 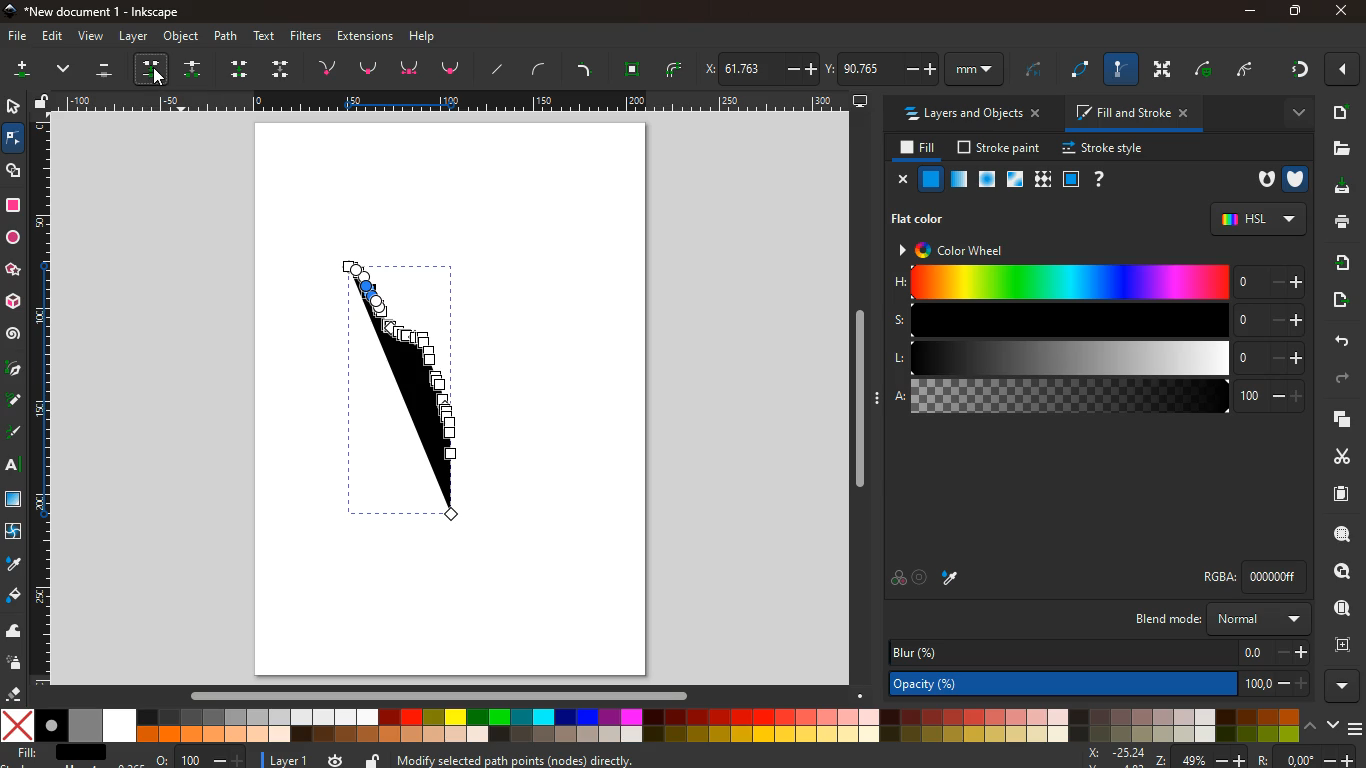 I want to click on description, so click(x=680, y=758).